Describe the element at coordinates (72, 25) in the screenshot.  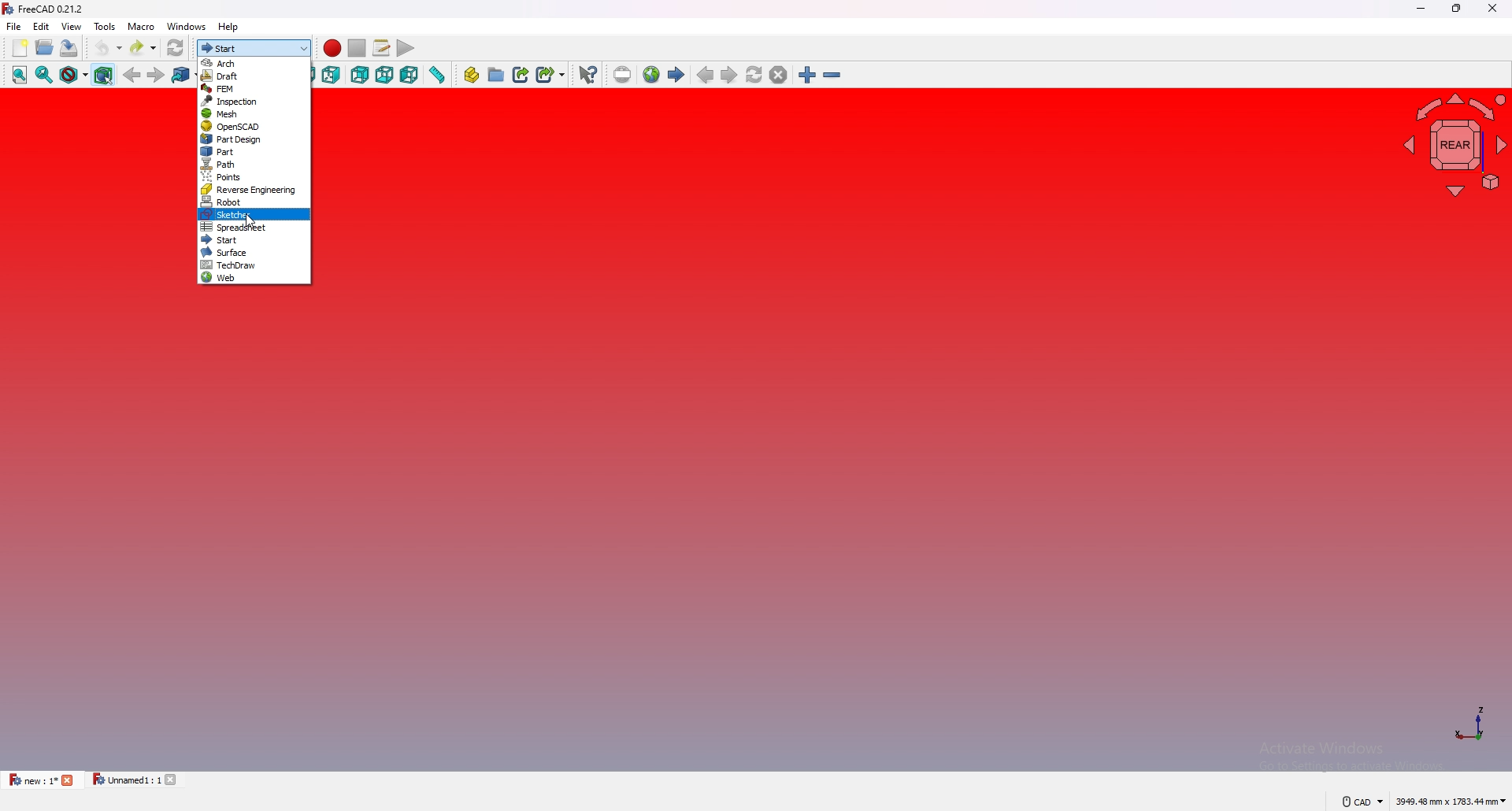
I see `view` at that location.